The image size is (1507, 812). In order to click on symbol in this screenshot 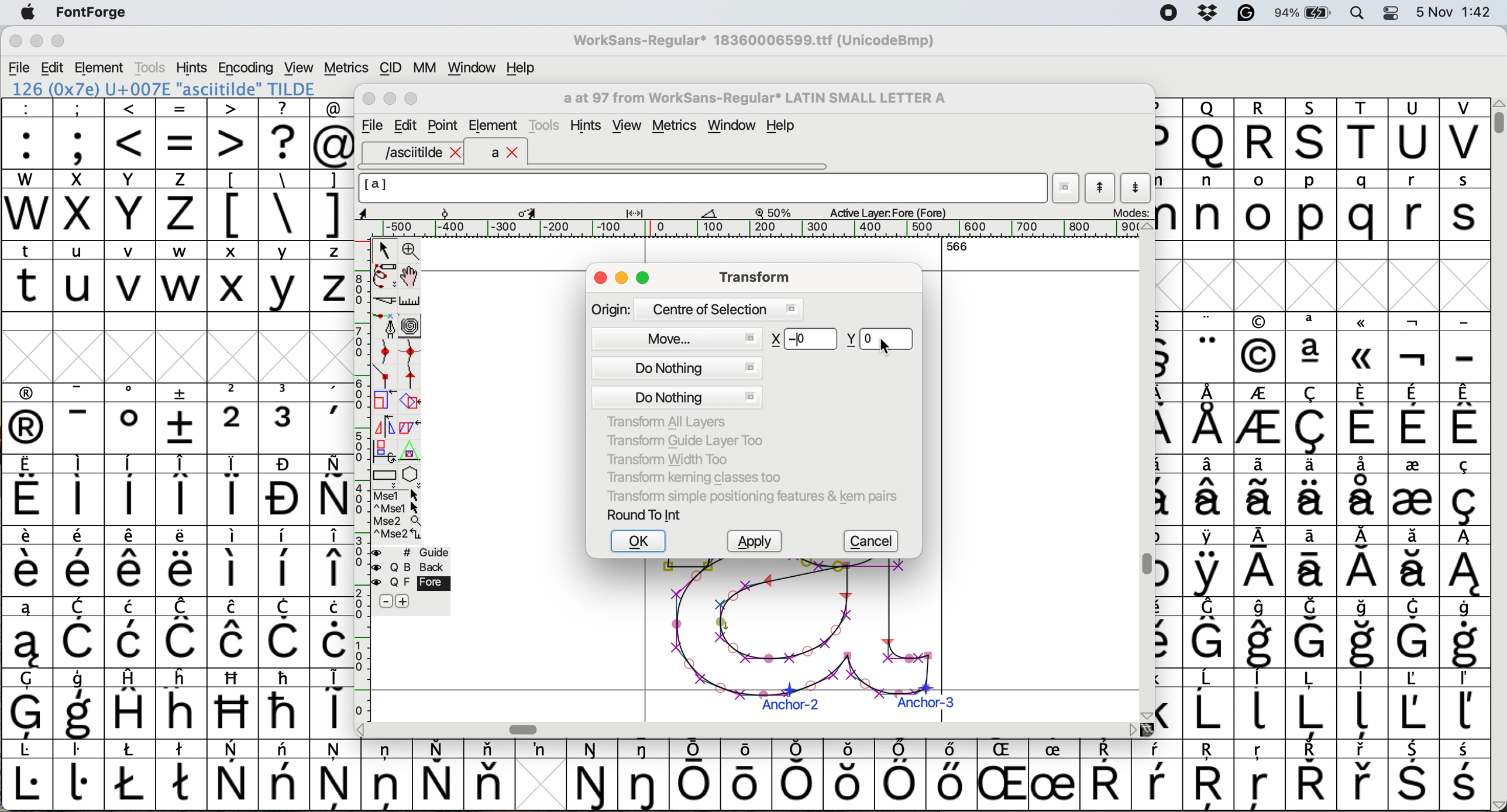, I will do `click(80, 562)`.